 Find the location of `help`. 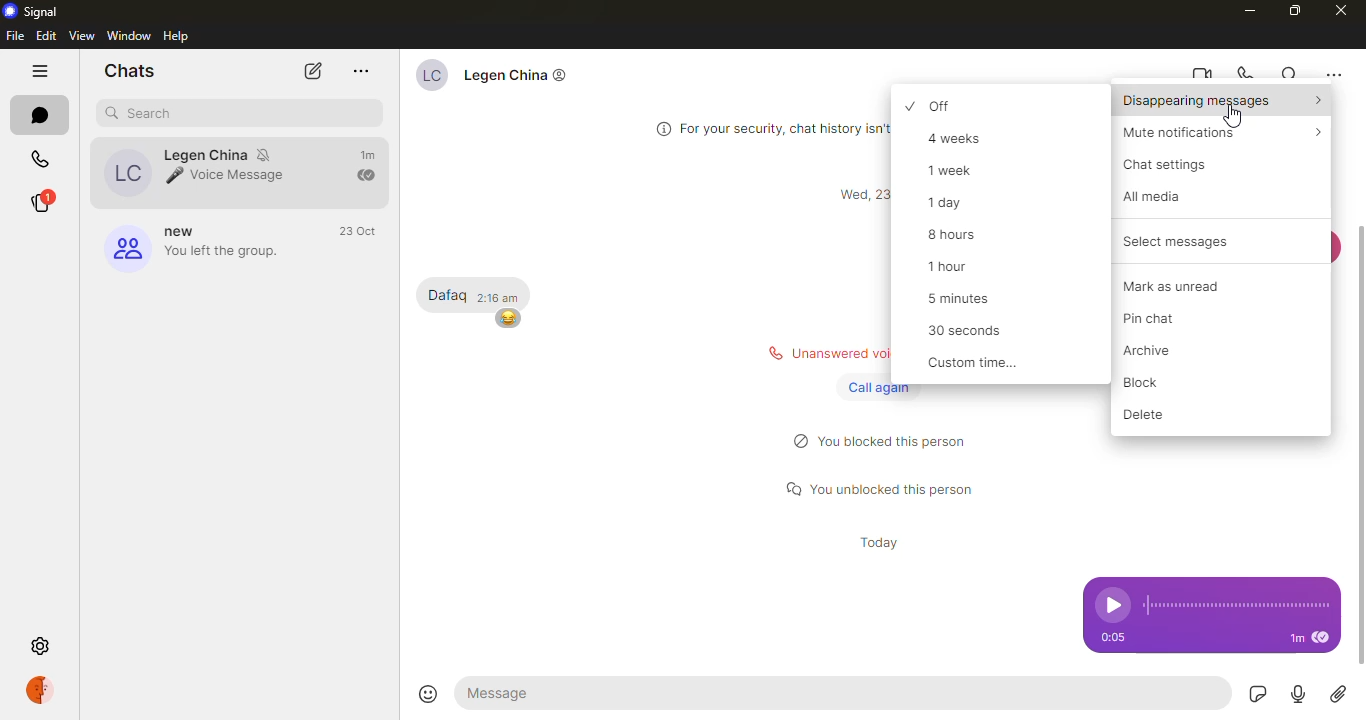

help is located at coordinates (178, 36).